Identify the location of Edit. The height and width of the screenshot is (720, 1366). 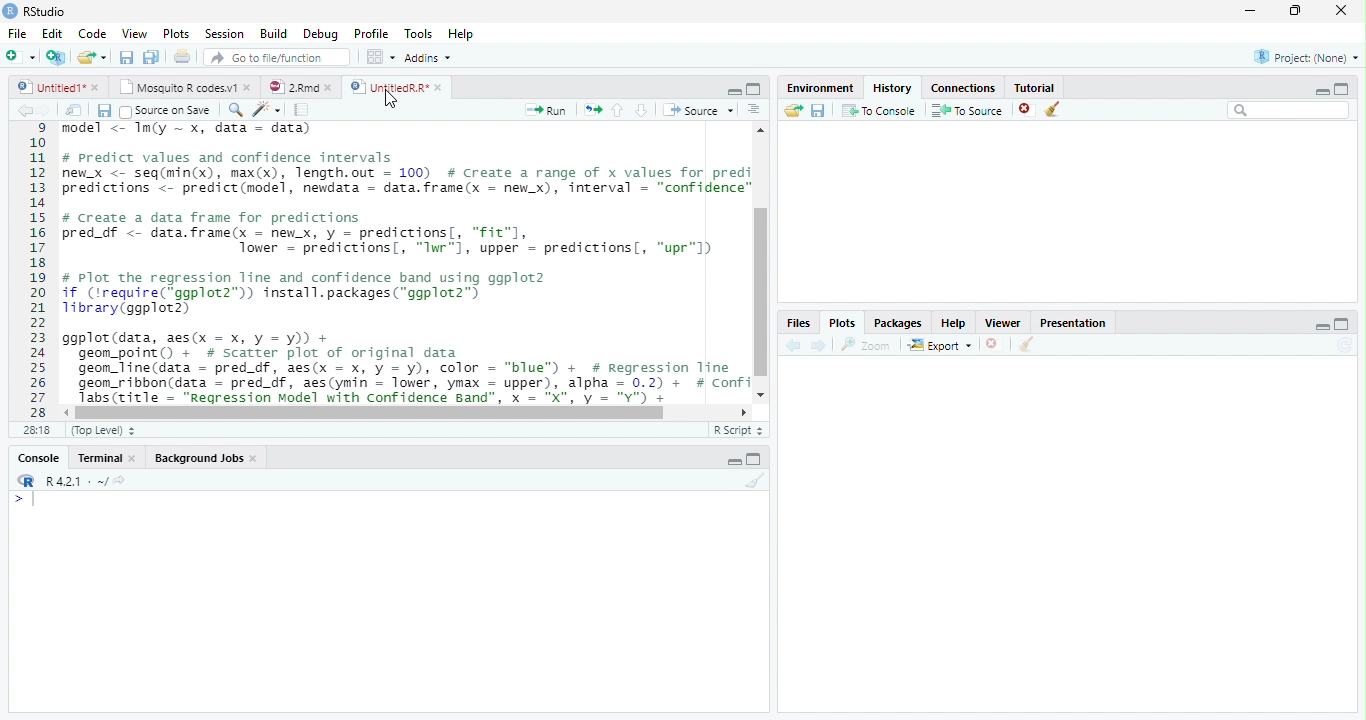
(54, 33).